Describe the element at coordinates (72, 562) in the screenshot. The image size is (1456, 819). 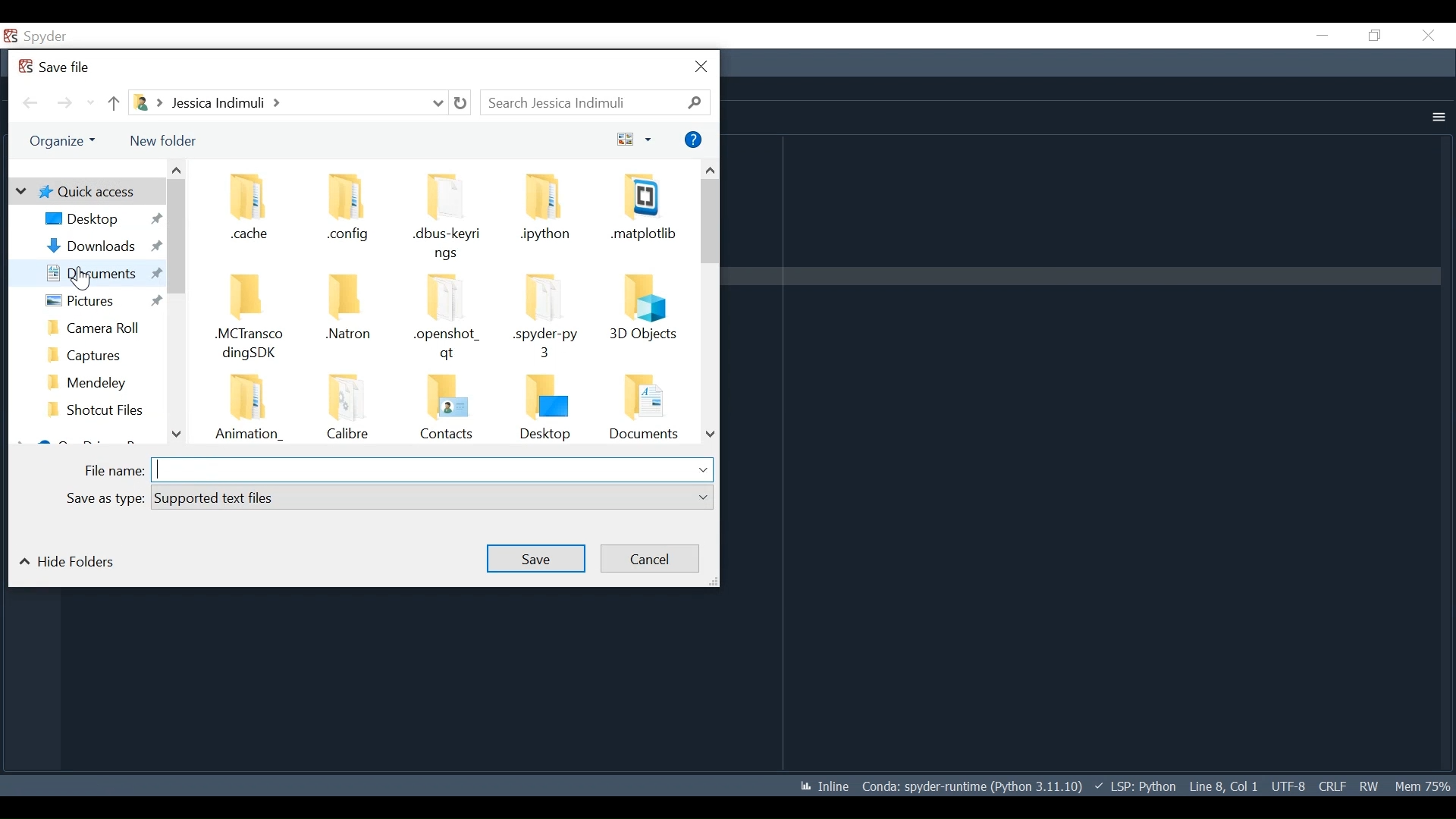
I see `Hide folders` at that location.